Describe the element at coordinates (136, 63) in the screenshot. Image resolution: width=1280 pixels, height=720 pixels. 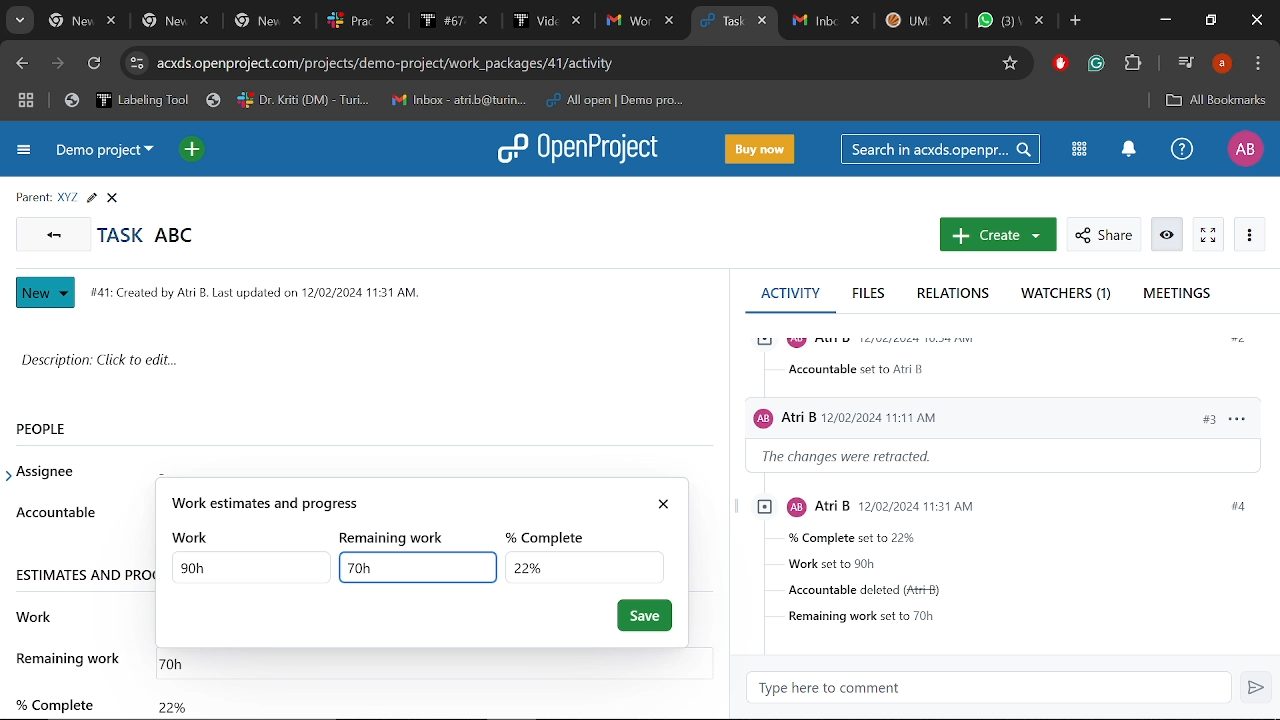
I see `Cite information` at that location.